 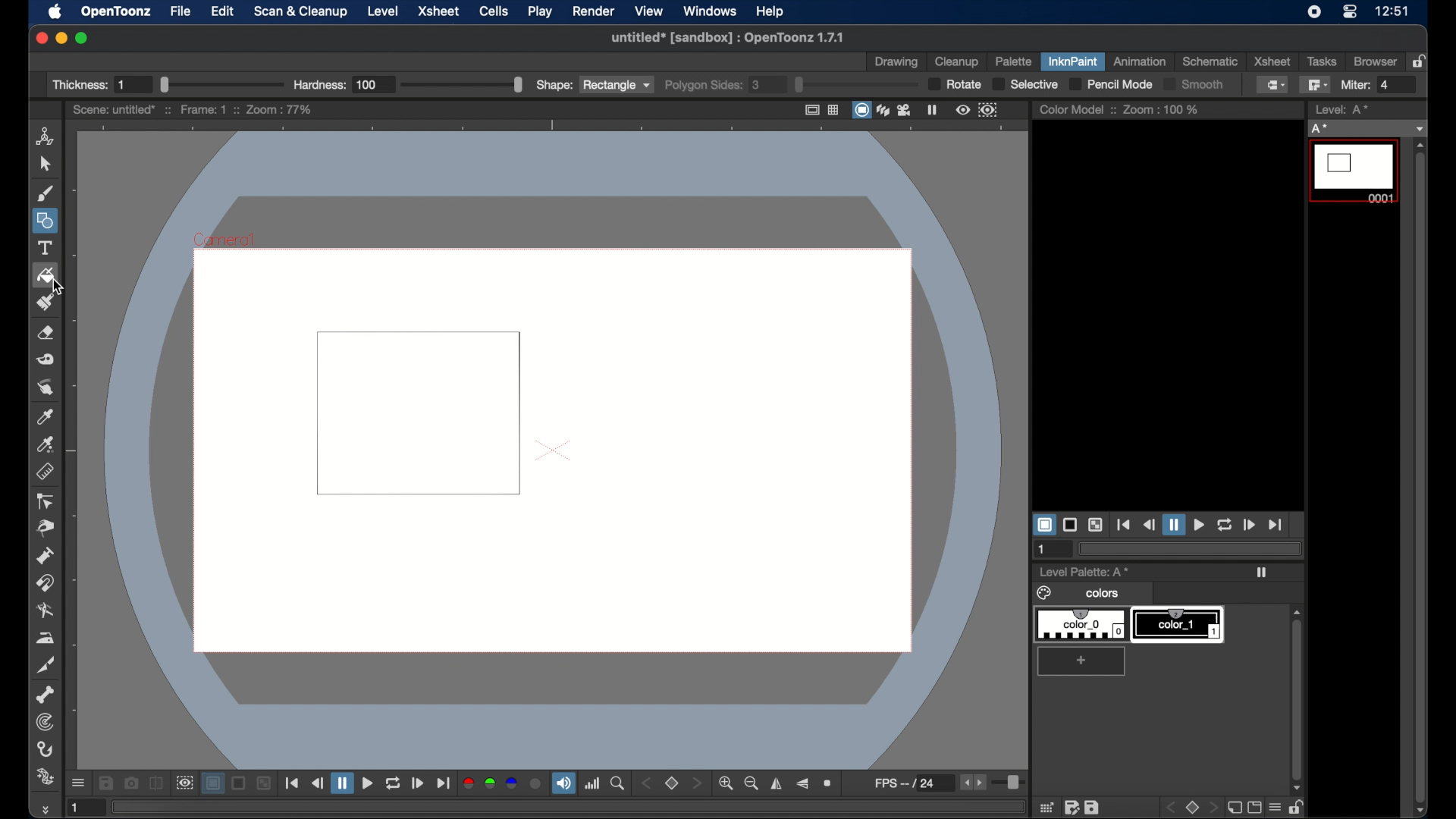 I want to click on sub camera view, so click(x=184, y=783).